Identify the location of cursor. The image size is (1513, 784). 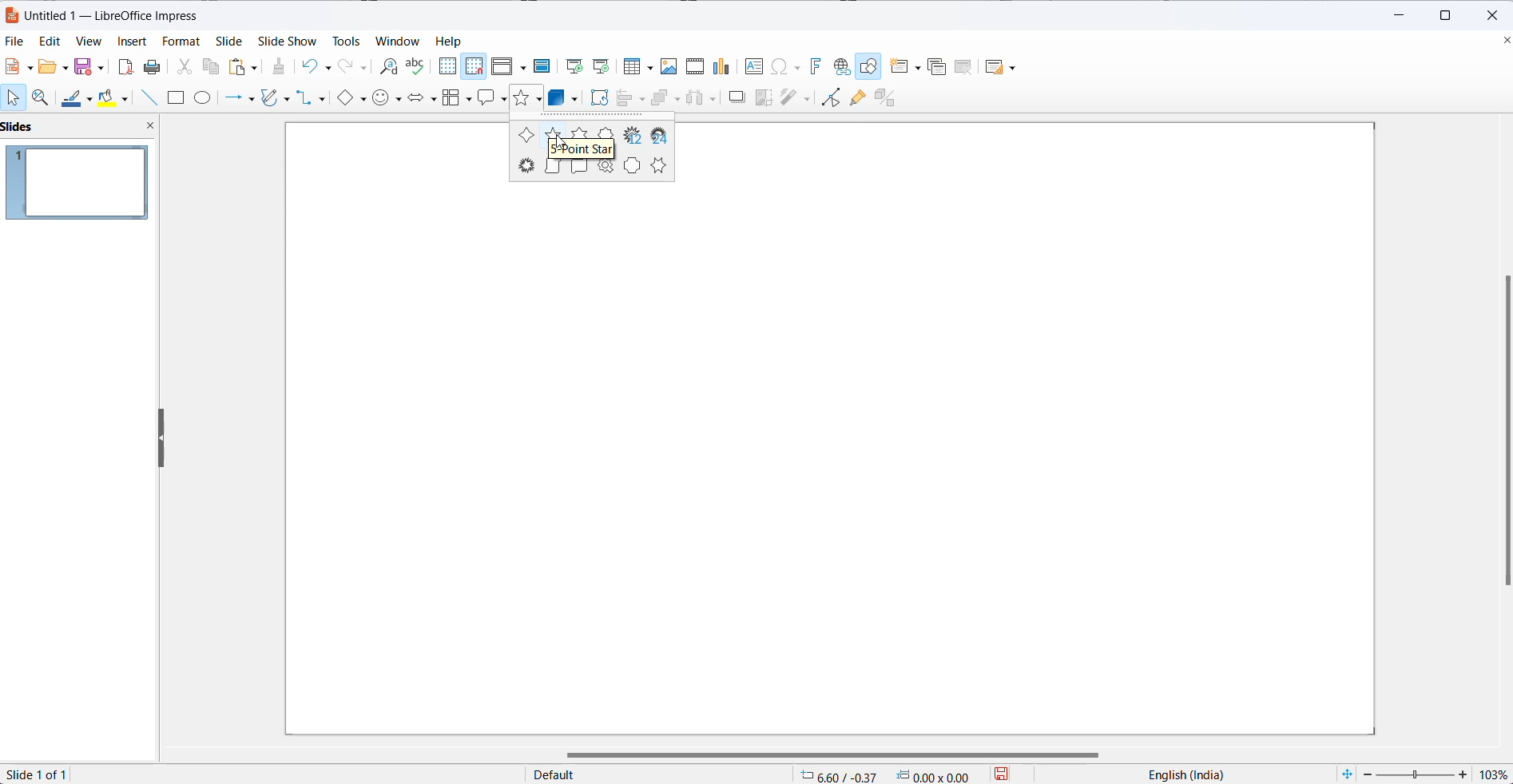
(538, 108).